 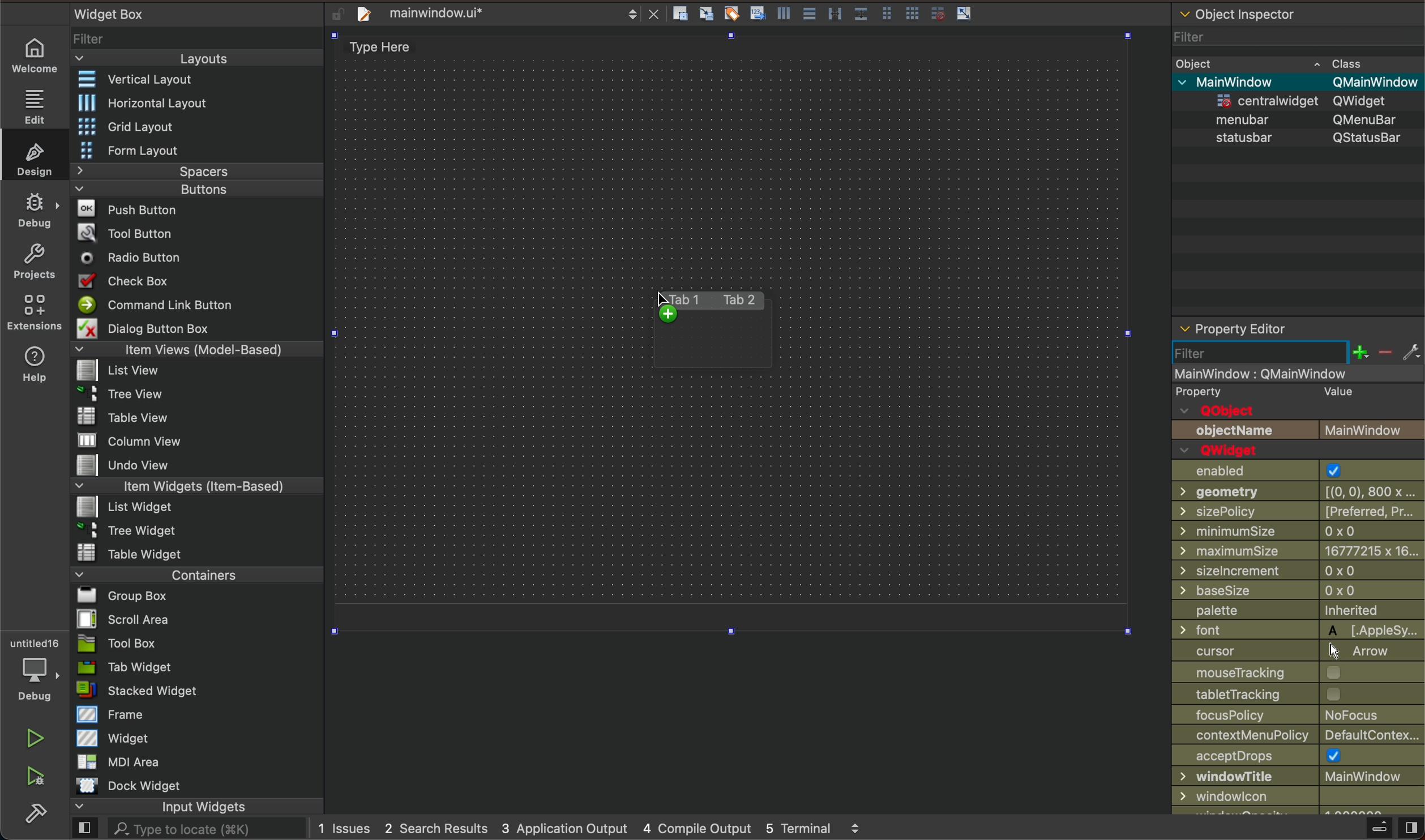 I want to click on object inspector, so click(x=1298, y=16).